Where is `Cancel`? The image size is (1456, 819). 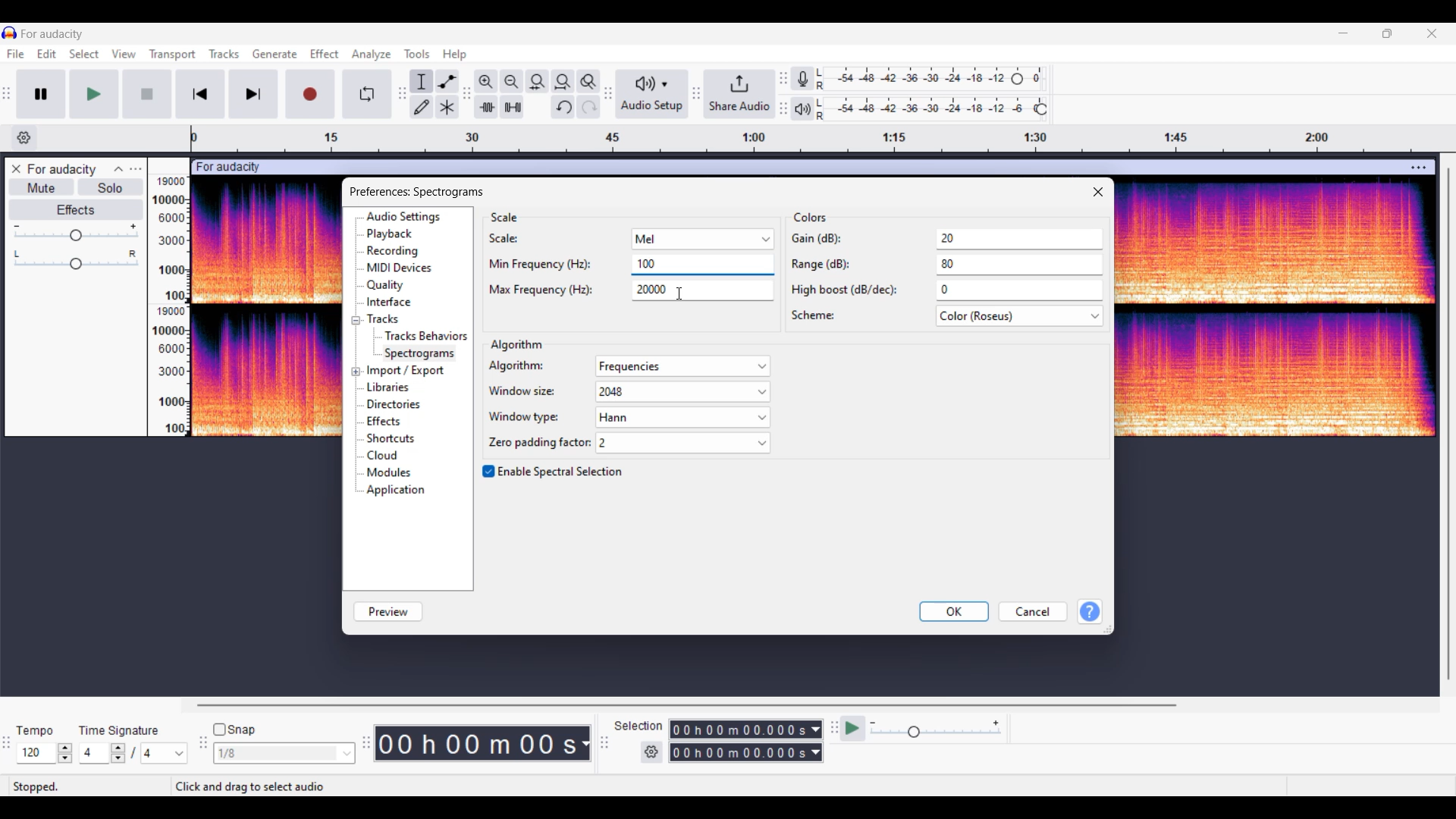 Cancel is located at coordinates (1034, 611).